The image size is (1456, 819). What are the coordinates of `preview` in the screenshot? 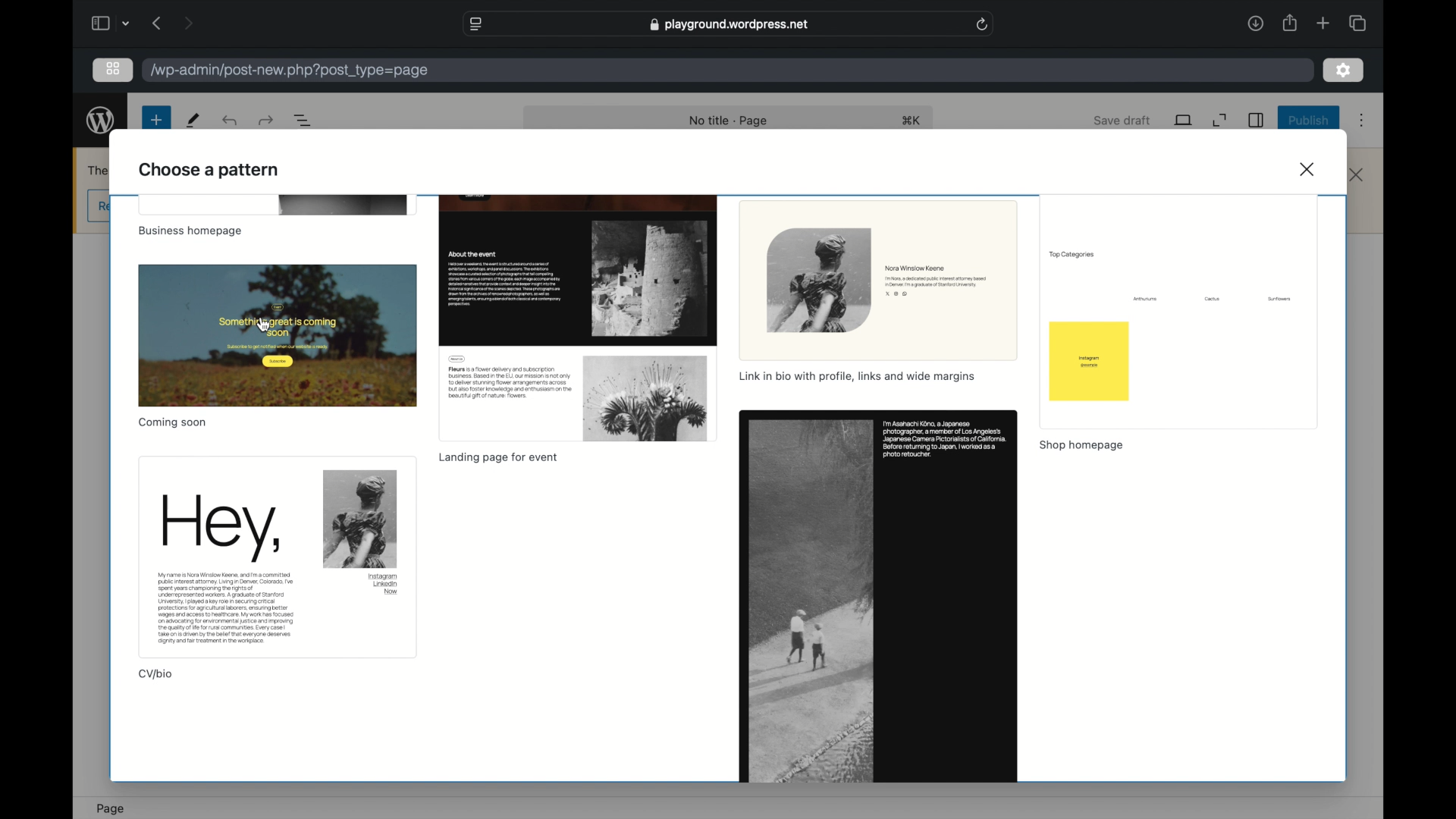 It's located at (1181, 310).